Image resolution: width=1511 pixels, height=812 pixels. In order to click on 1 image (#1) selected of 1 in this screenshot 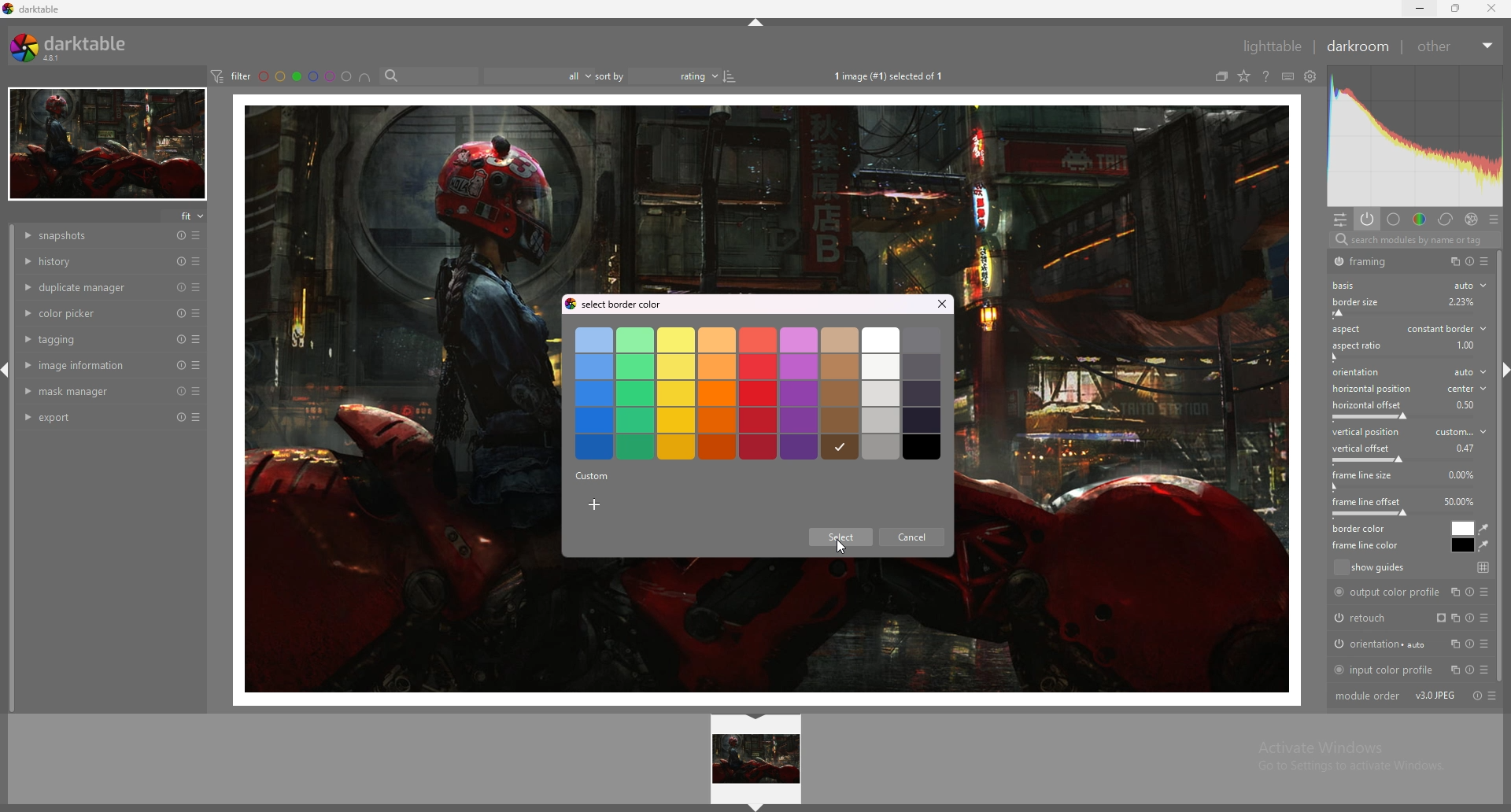, I will do `click(895, 77)`.